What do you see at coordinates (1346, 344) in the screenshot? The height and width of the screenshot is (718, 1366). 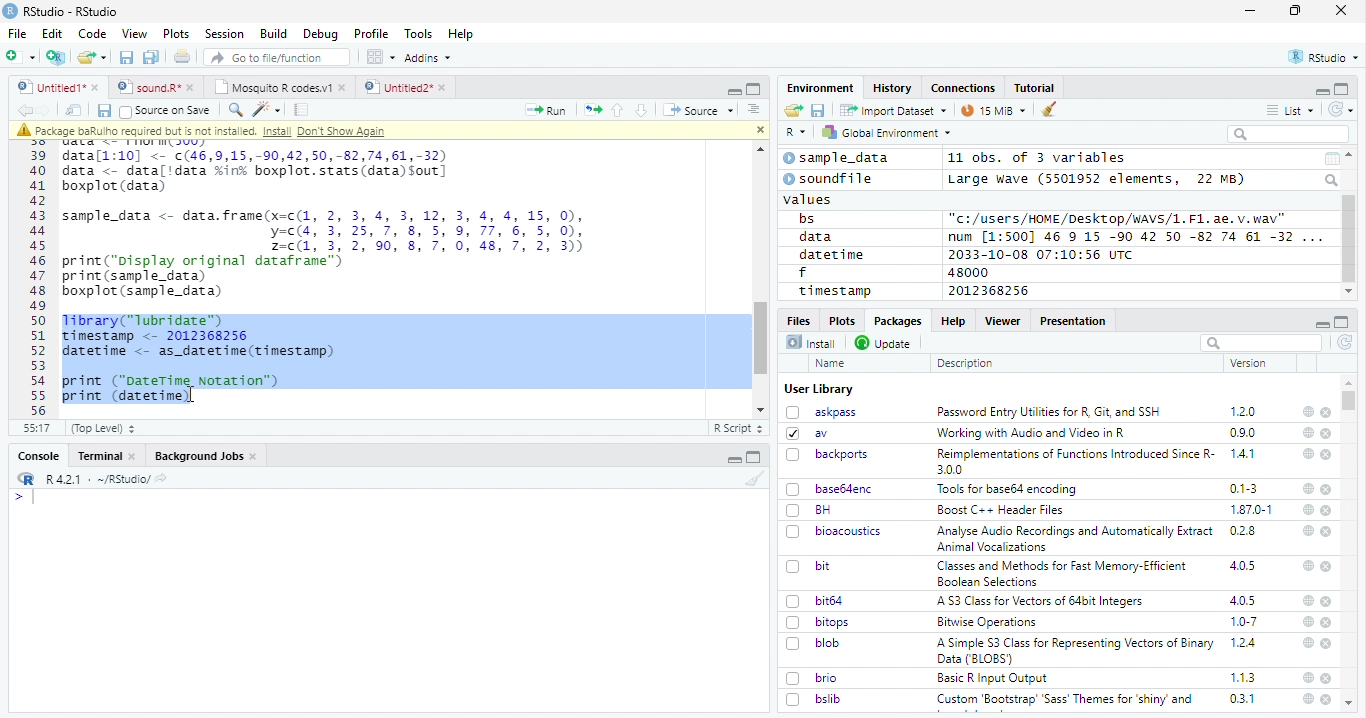 I see `Refresh` at bounding box center [1346, 344].